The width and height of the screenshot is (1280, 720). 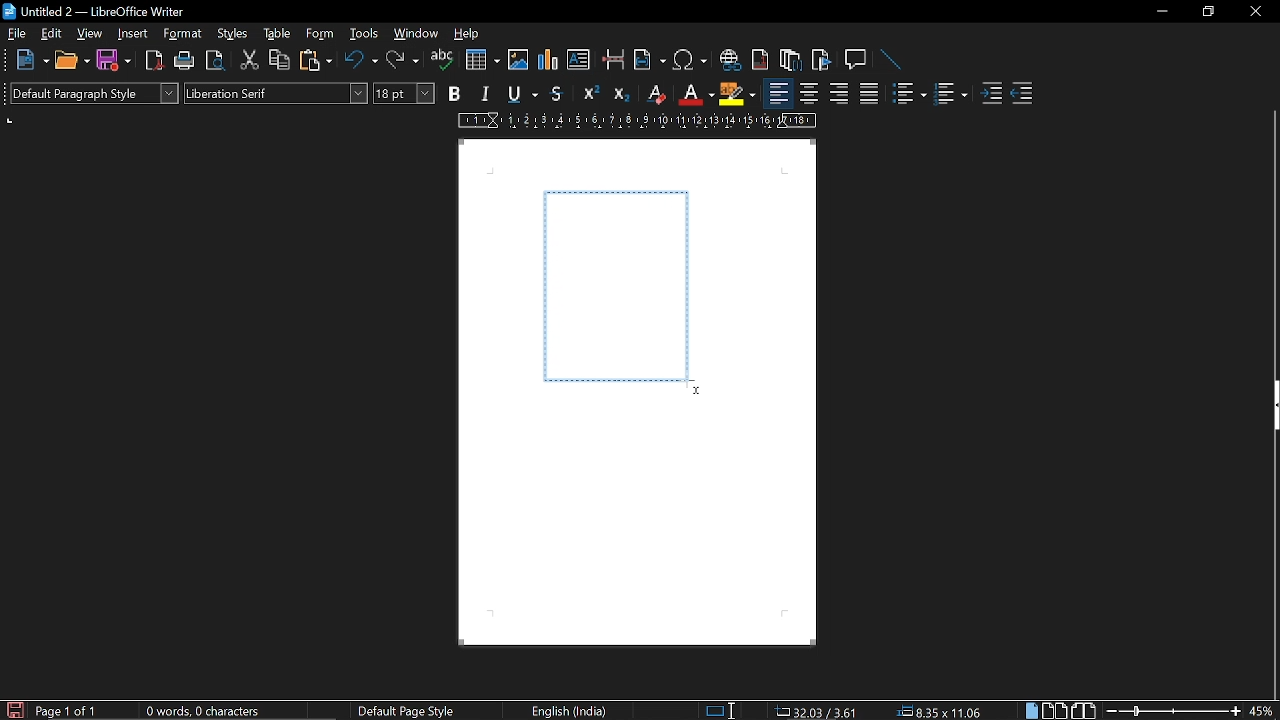 I want to click on page 1 of 1, so click(x=71, y=711).